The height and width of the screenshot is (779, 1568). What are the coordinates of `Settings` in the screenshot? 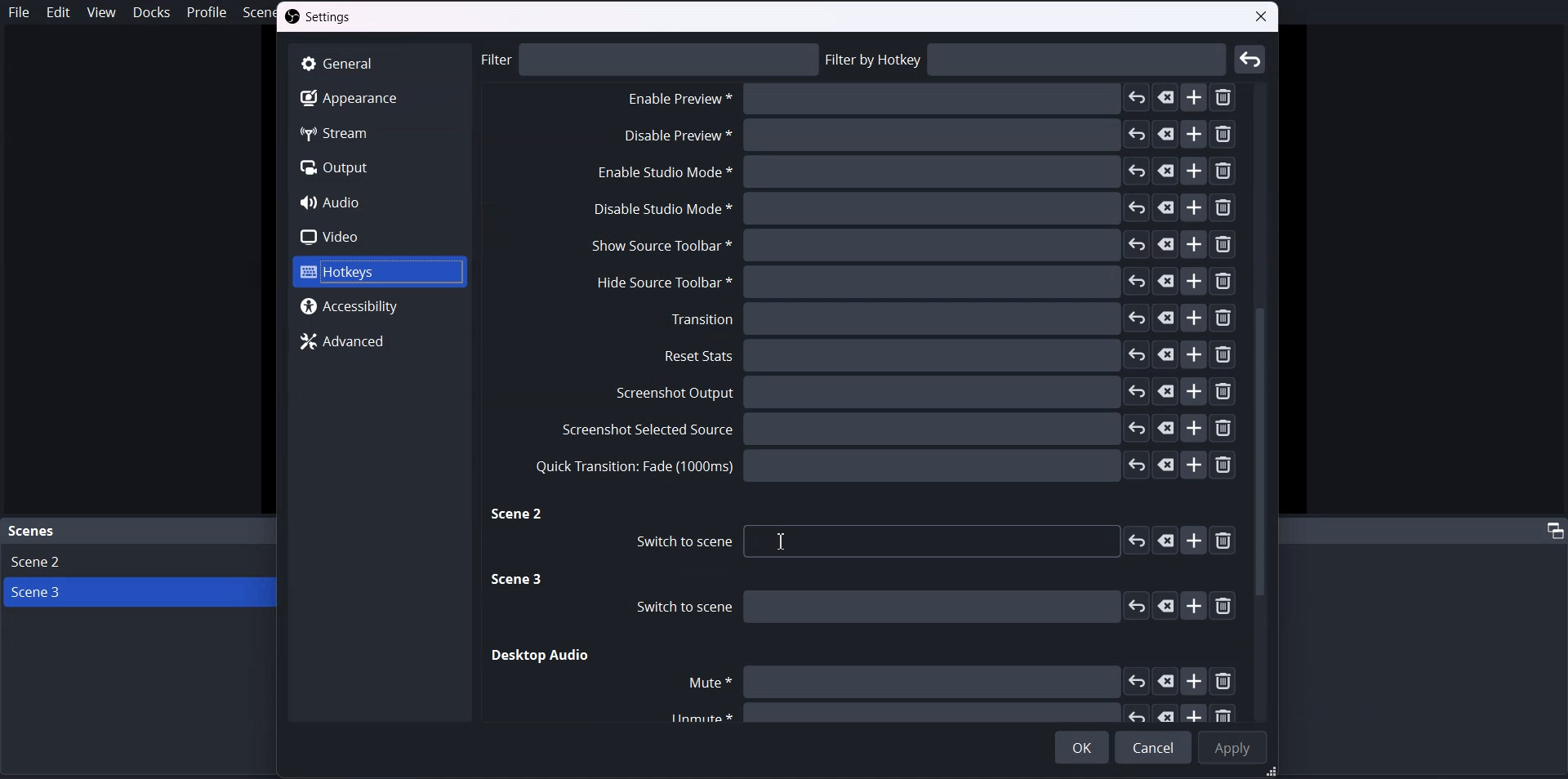 It's located at (323, 18).